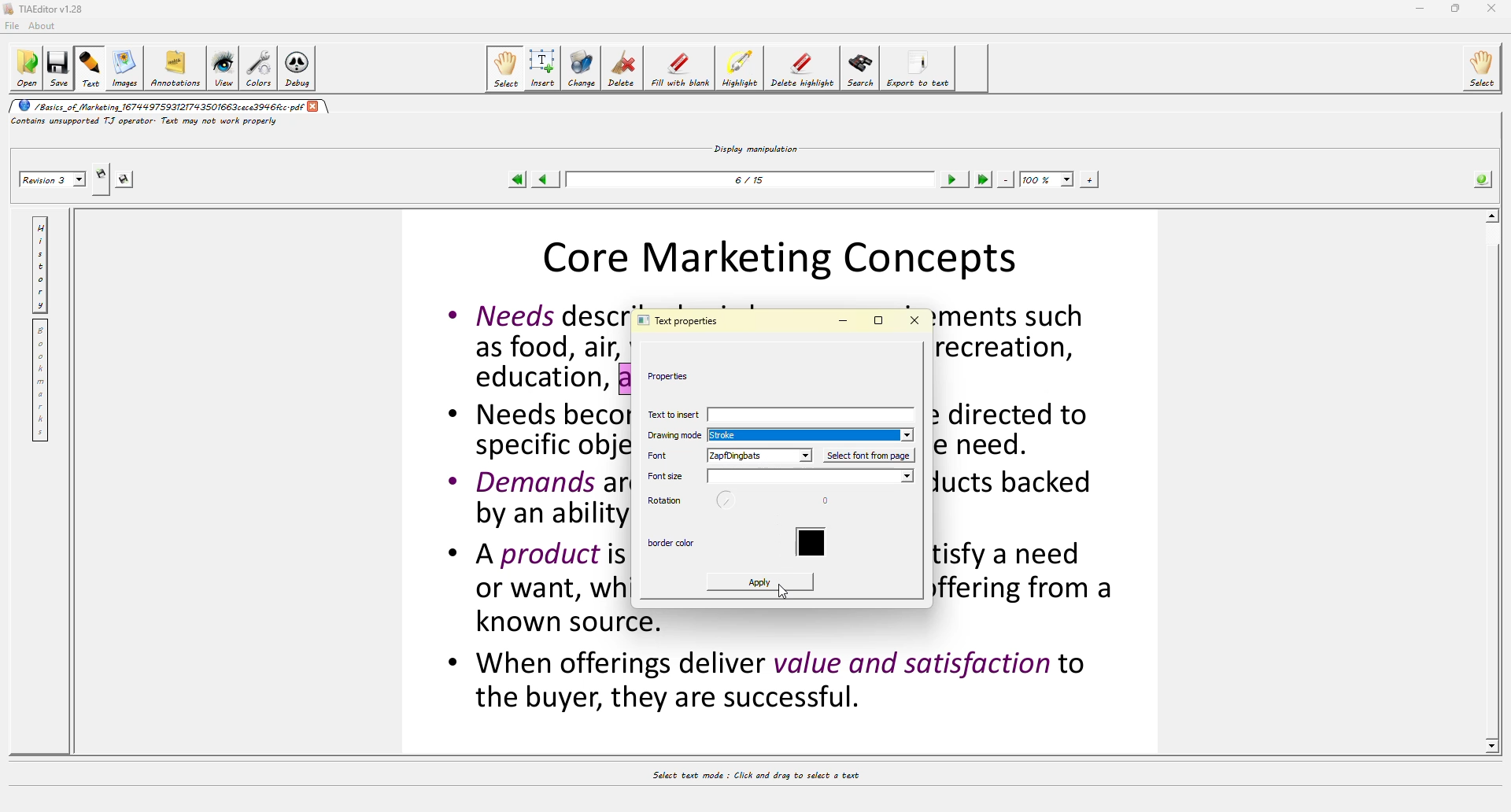 This screenshot has width=1511, height=812. What do you see at coordinates (257, 68) in the screenshot?
I see `colors` at bounding box center [257, 68].